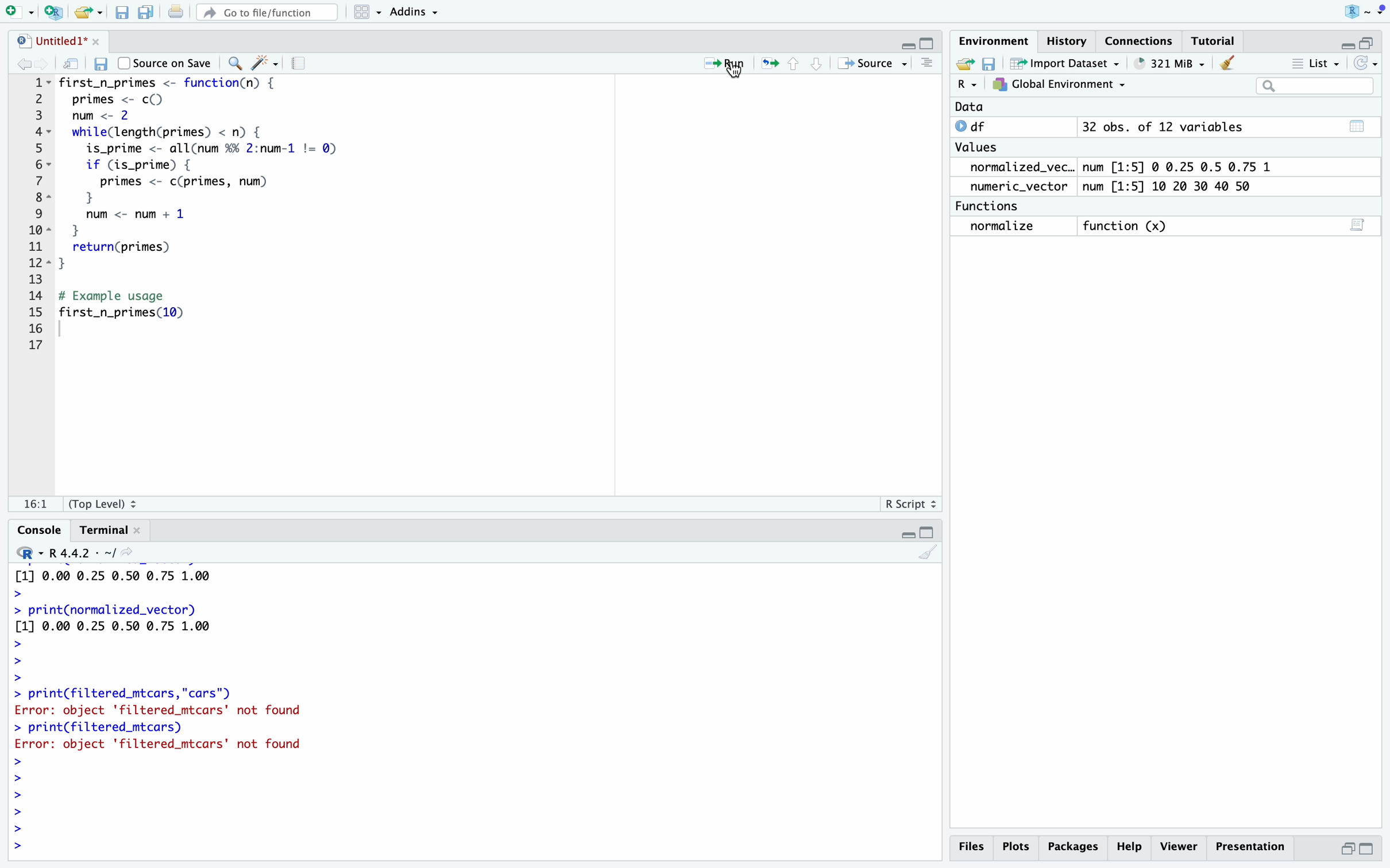 This screenshot has height=868, width=1390. Describe the element at coordinates (1167, 228) in the screenshot. I see `normalize function (x) 3` at that location.